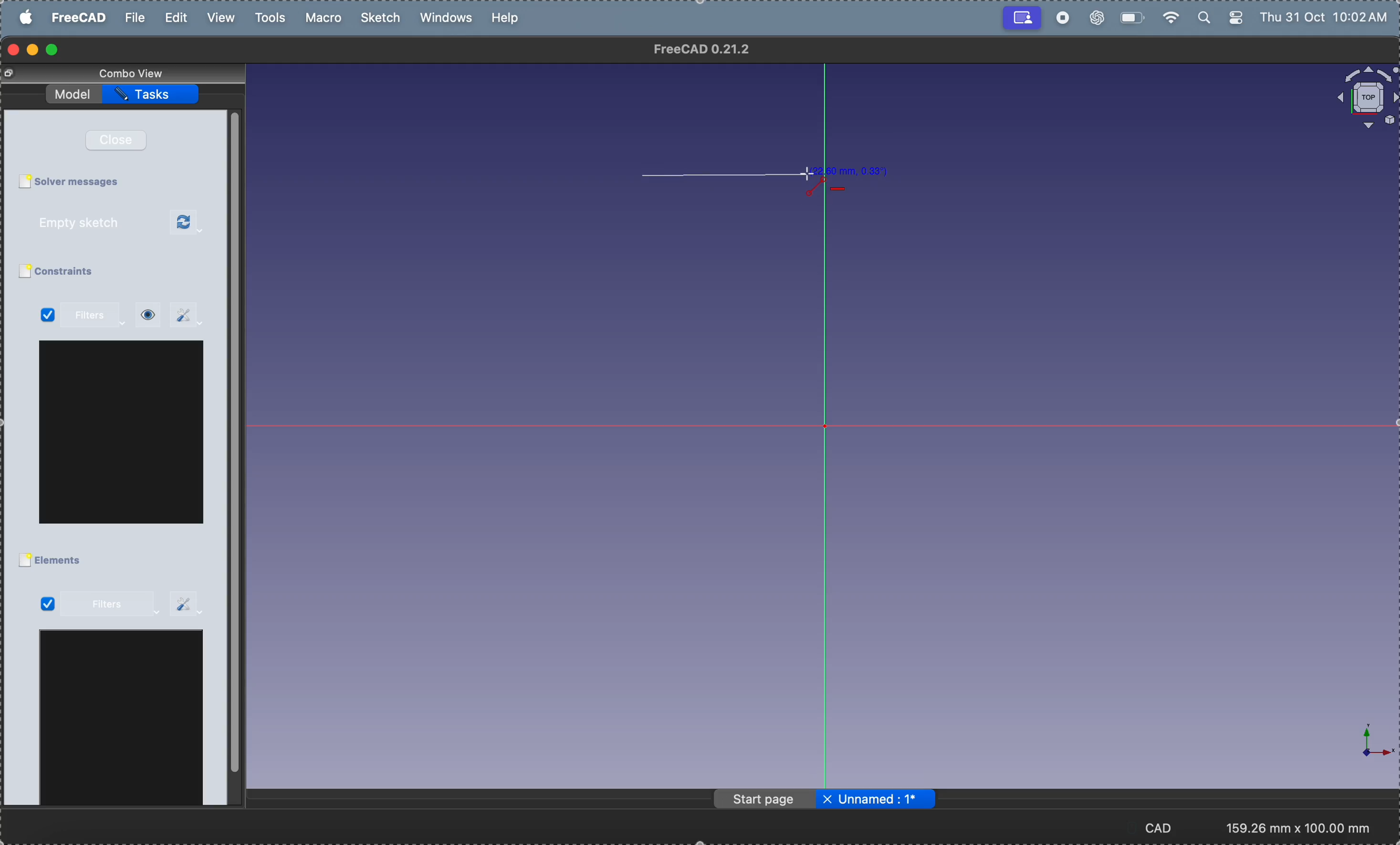 The image size is (1400, 845). Describe the element at coordinates (1130, 16) in the screenshot. I see `battery` at that location.